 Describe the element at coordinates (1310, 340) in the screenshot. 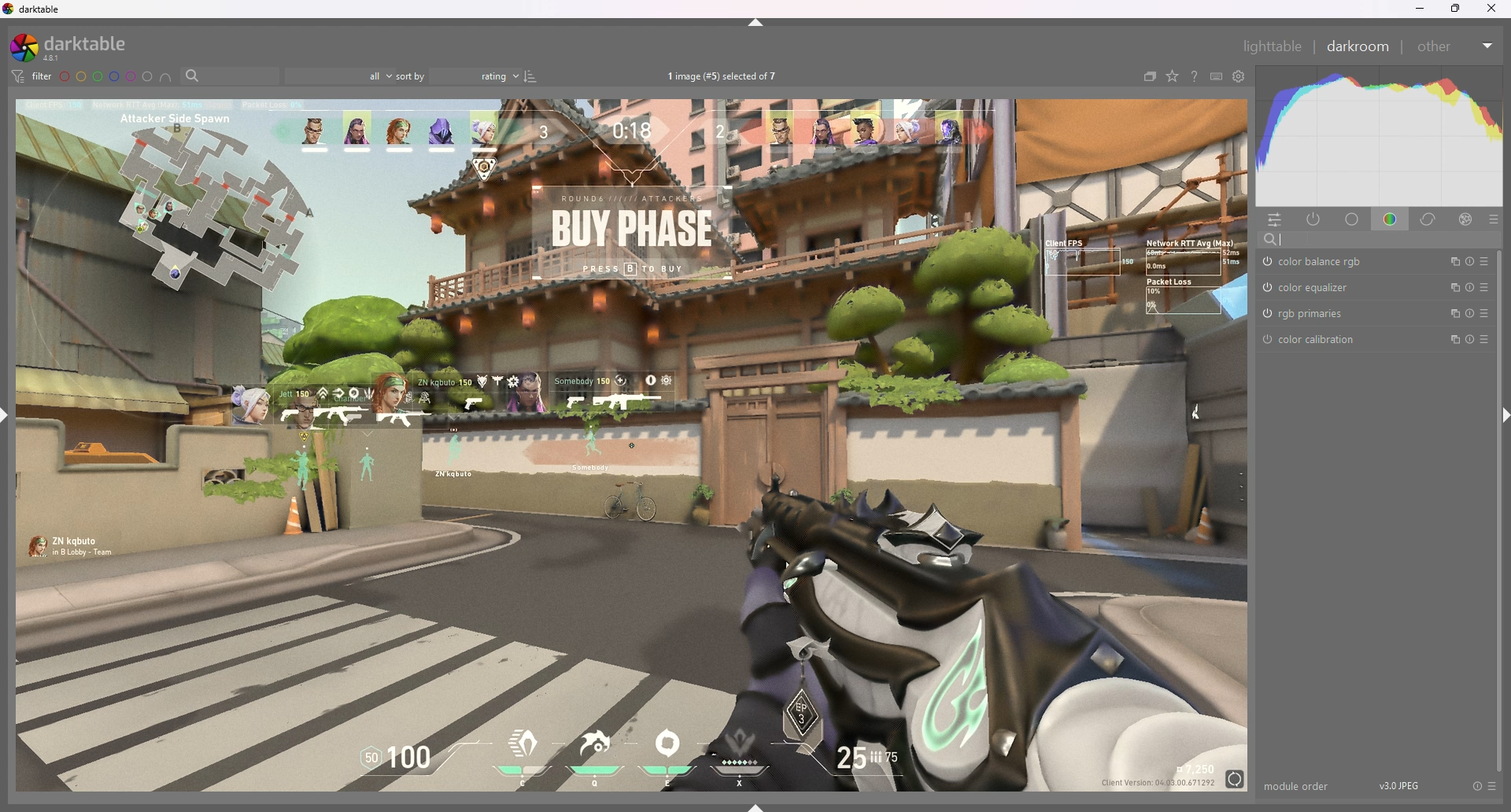

I see `color calibration` at that location.